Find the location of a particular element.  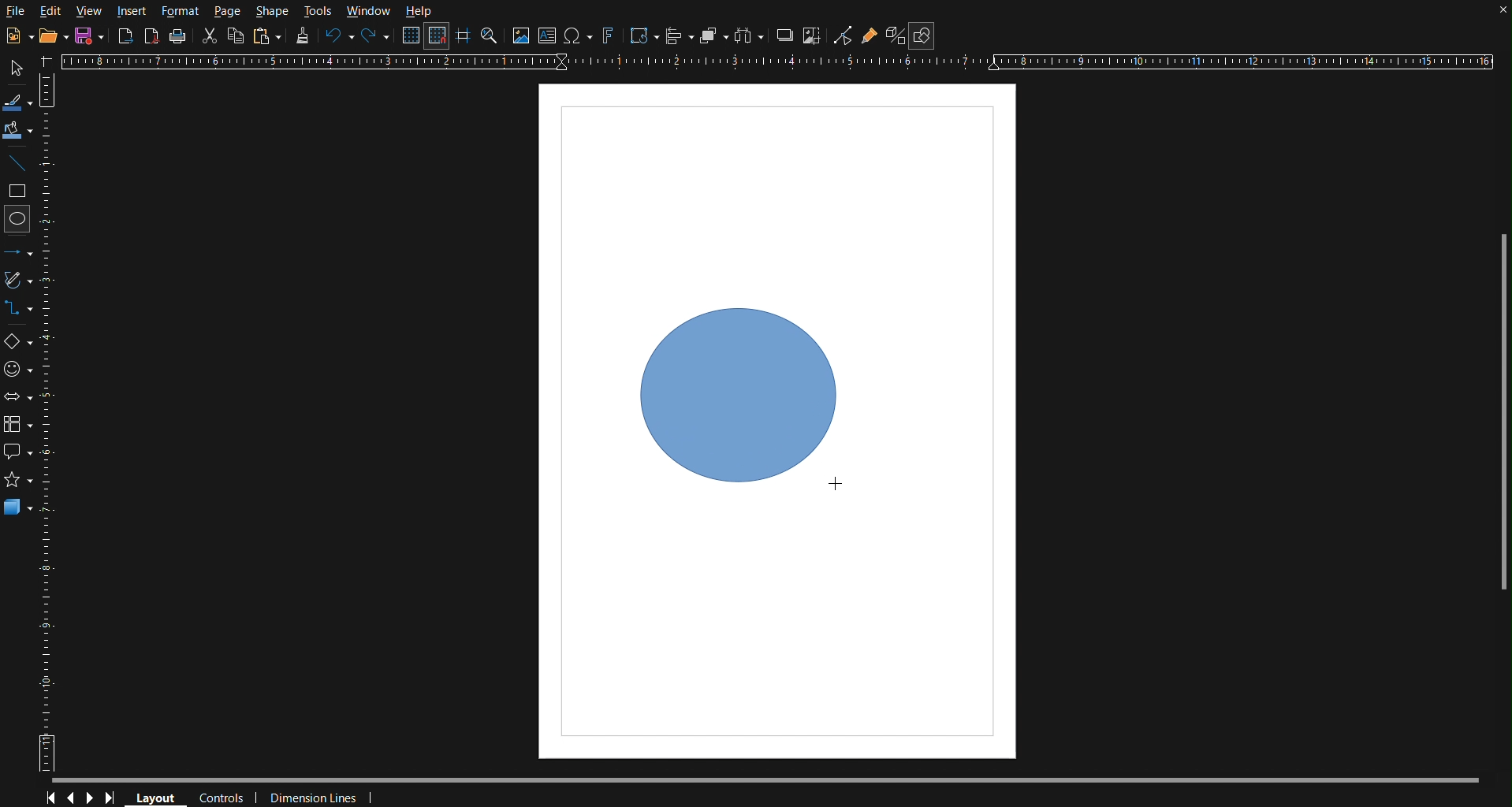

close is located at coordinates (1497, 13).